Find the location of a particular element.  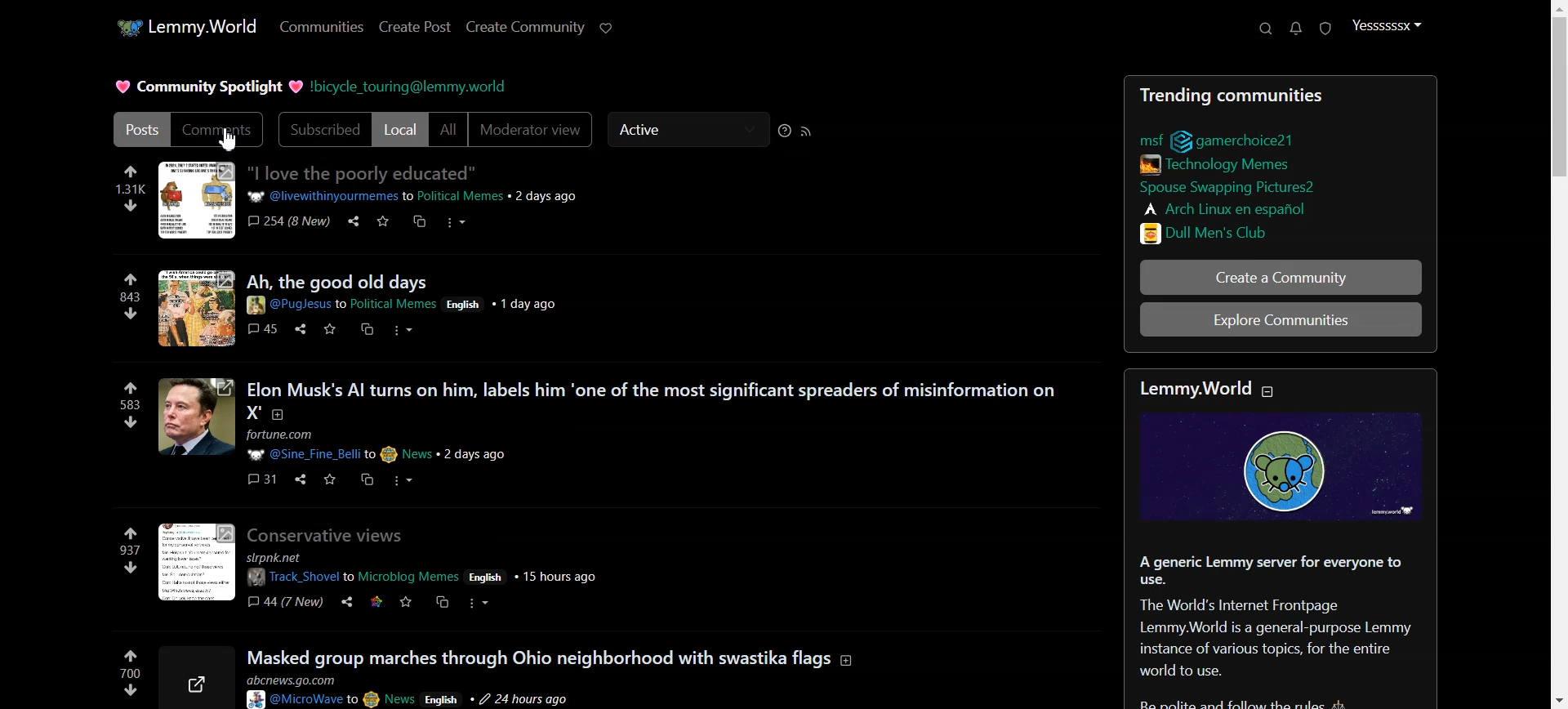

 is located at coordinates (352, 220).